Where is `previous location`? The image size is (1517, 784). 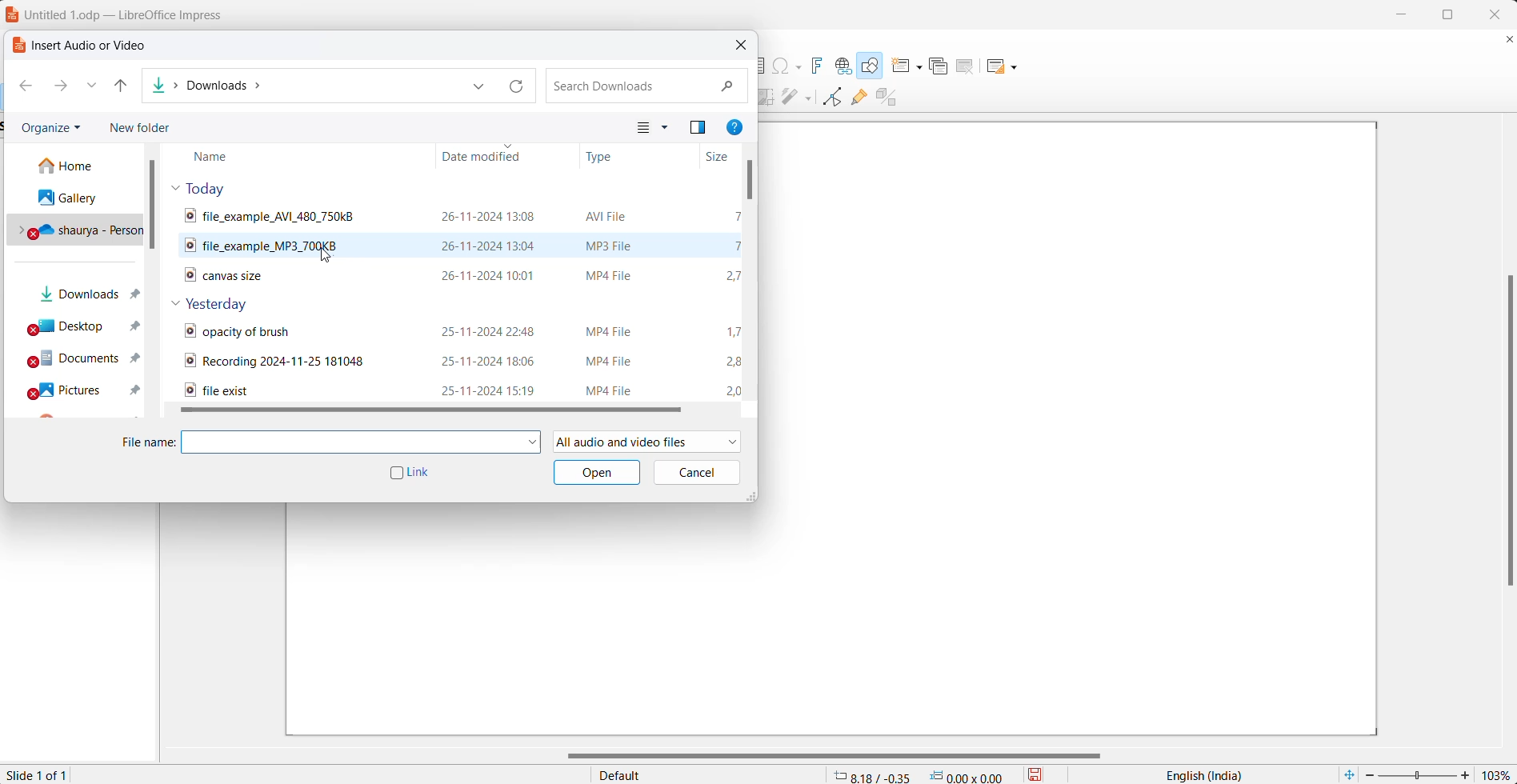
previous location is located at coordinates (479, 87).